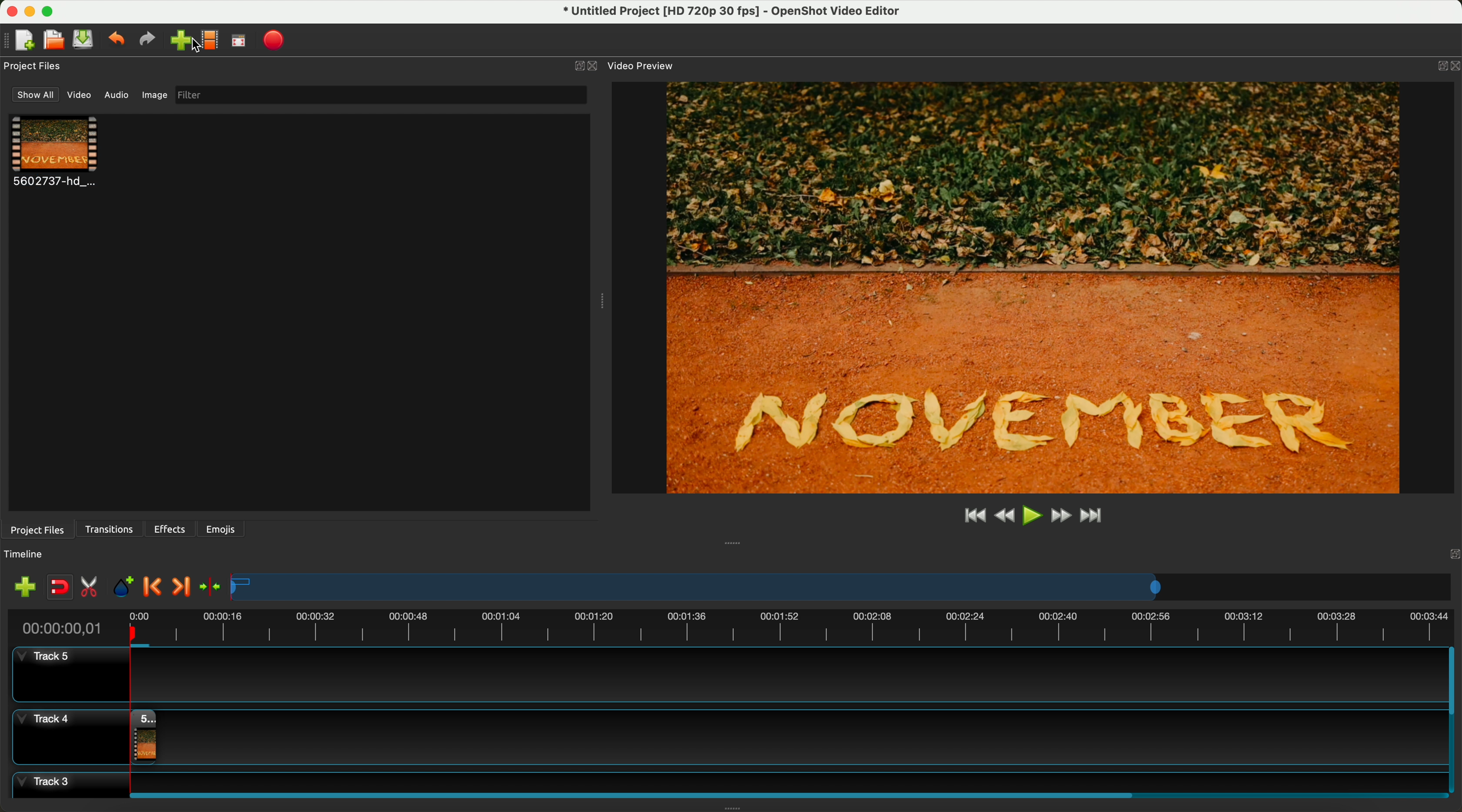 The height and width of the screenshot is (812, 1462). I want to click on rewind, so click(1003, 517).